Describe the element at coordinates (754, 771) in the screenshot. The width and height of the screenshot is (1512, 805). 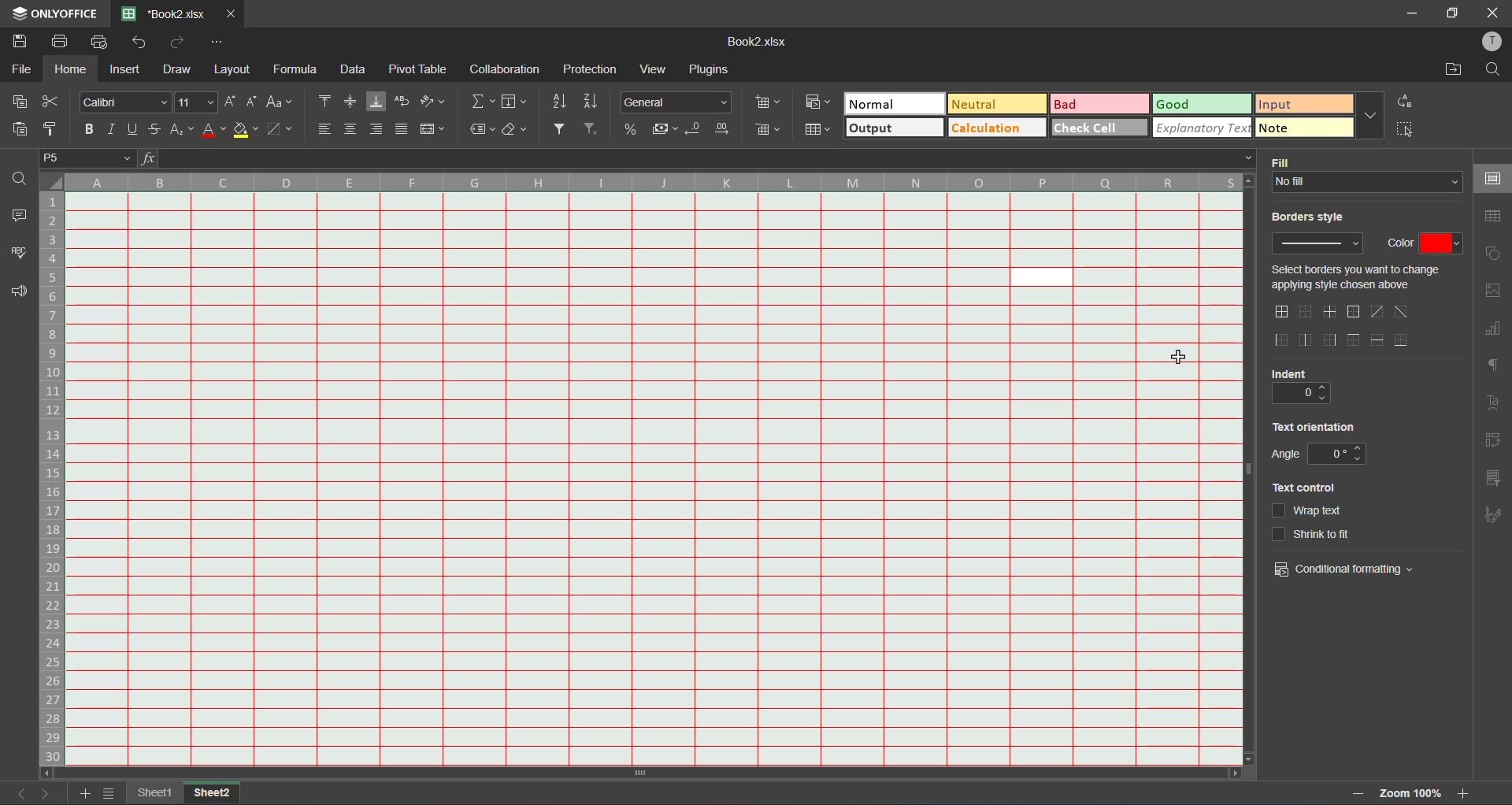
I see `scroll bar` at that location.